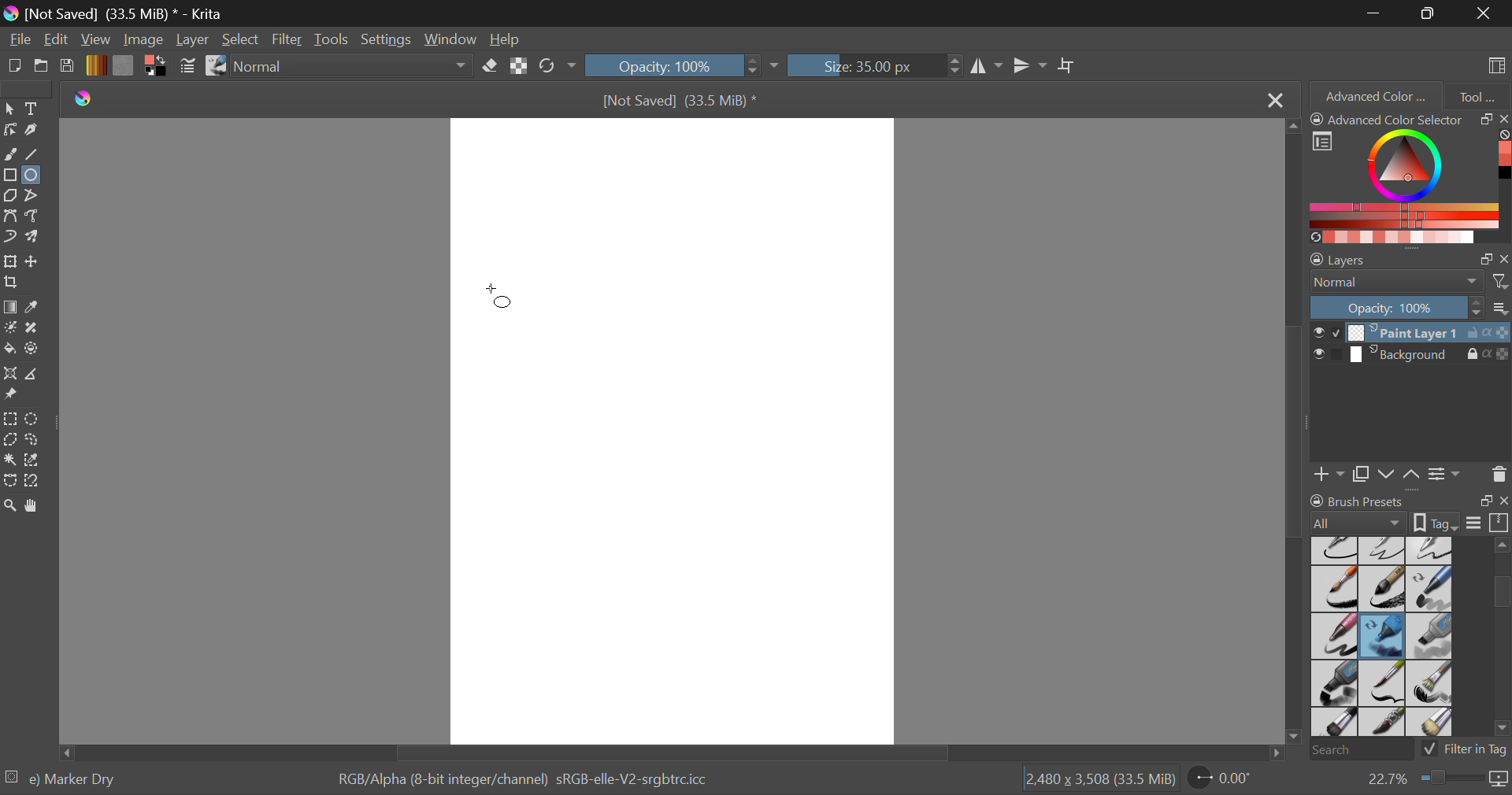 This screenshot has height=795, width=1512. What do you see at coordinates (33, 349) in the screenshot?
I see `Enclose and Fill Tool` at bounding box center [33, 349].